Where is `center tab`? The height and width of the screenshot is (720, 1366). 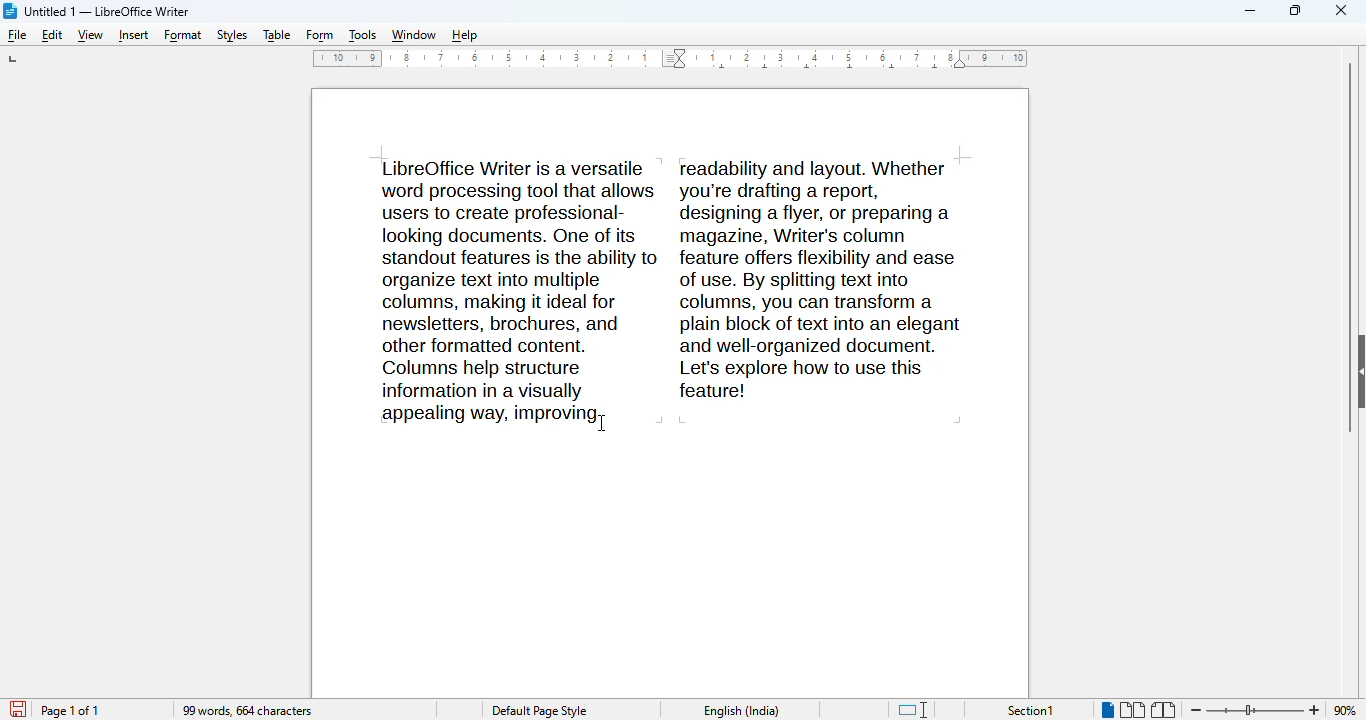 center tab is located at coordinates (893, 68).